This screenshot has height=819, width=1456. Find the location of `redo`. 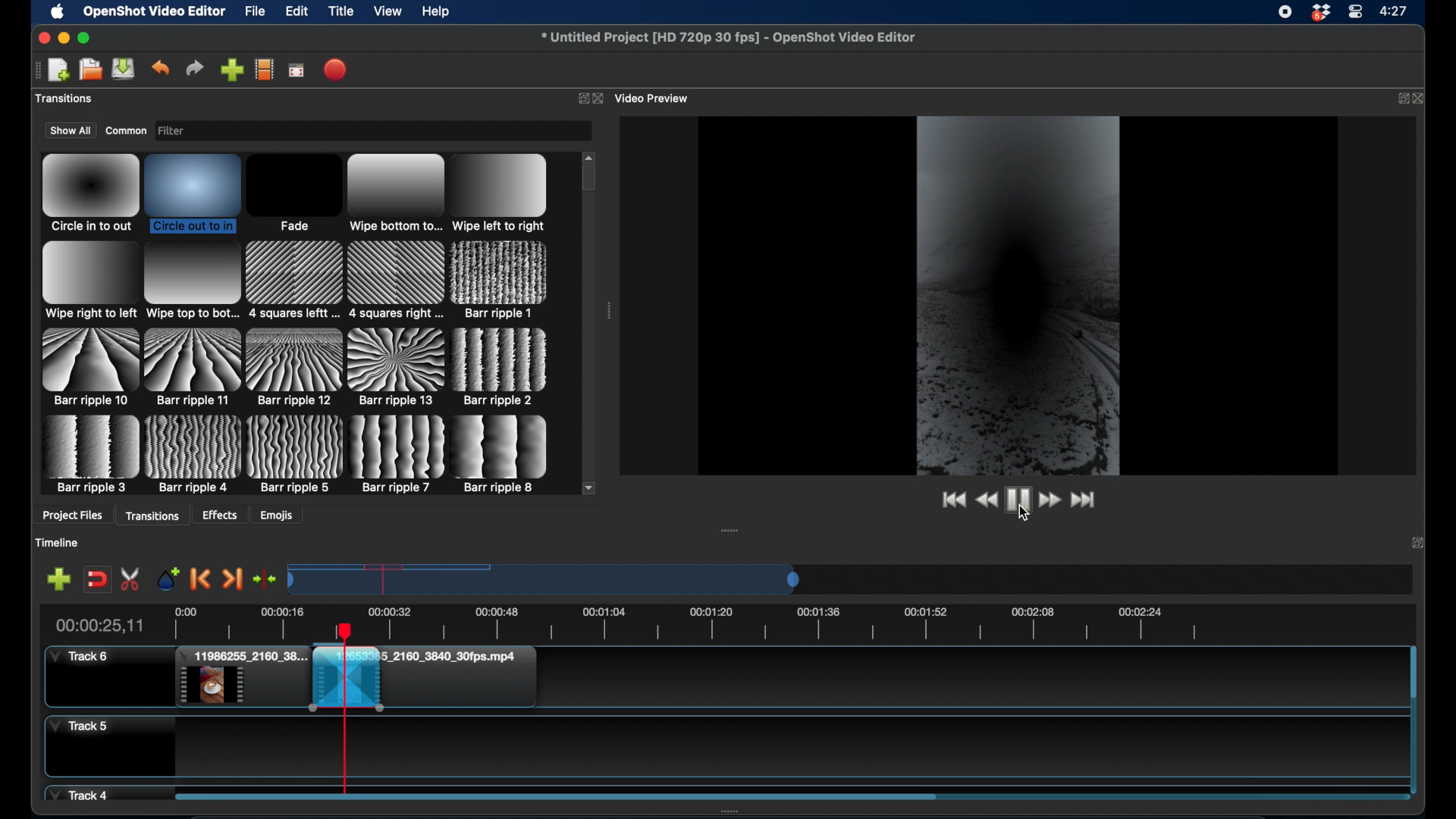

redo is located at coordinates (195, 68).